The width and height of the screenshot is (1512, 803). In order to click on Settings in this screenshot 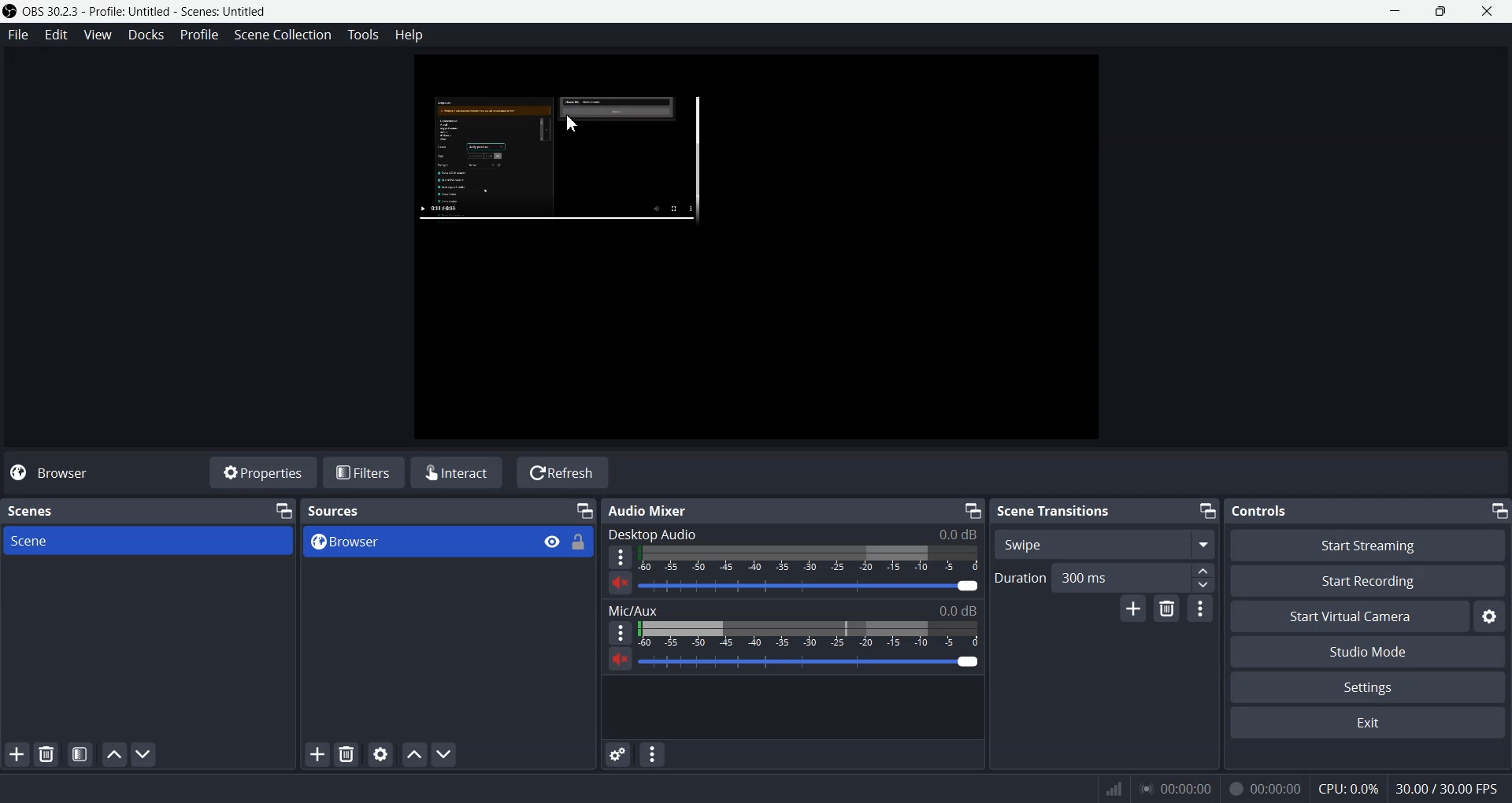, I will do `click(1489, 617)`.